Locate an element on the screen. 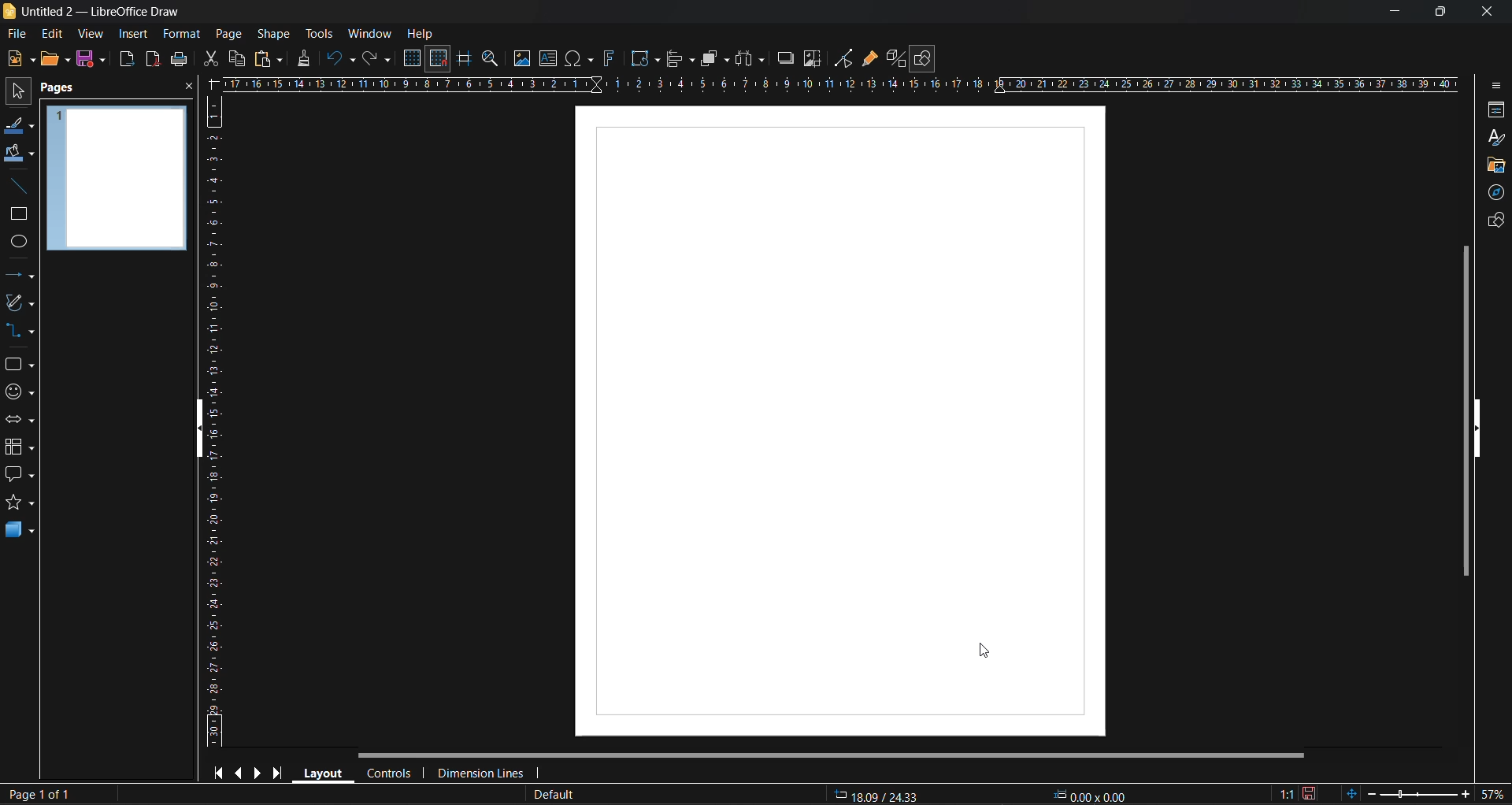 The height and width of the screenshot is (805, 1512). page preview formatted is located at coordinates (119, 181).